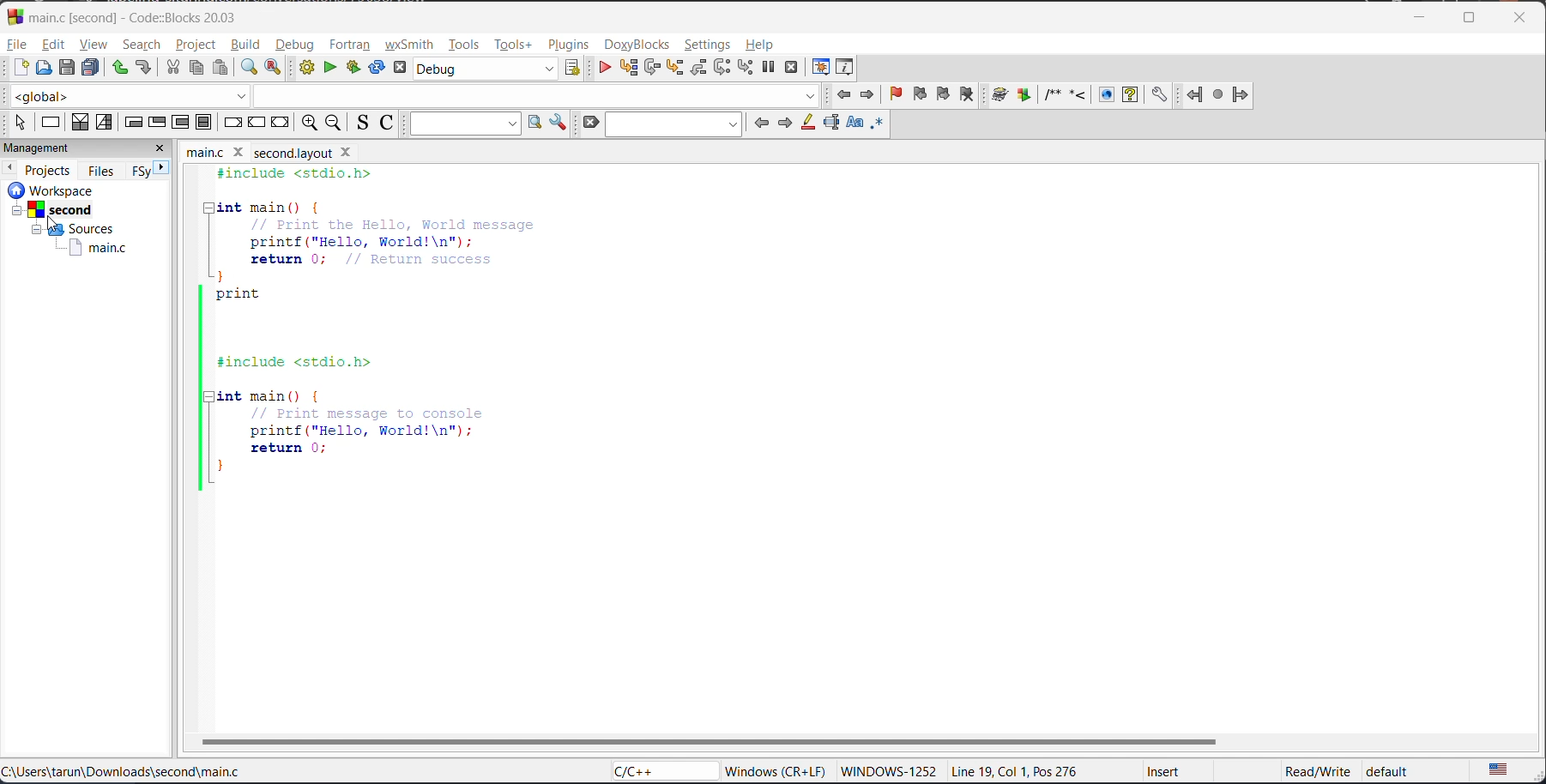 The width and height of the screenshot is (1546, 784). I want to click on toggle comments, so click(389, 125).